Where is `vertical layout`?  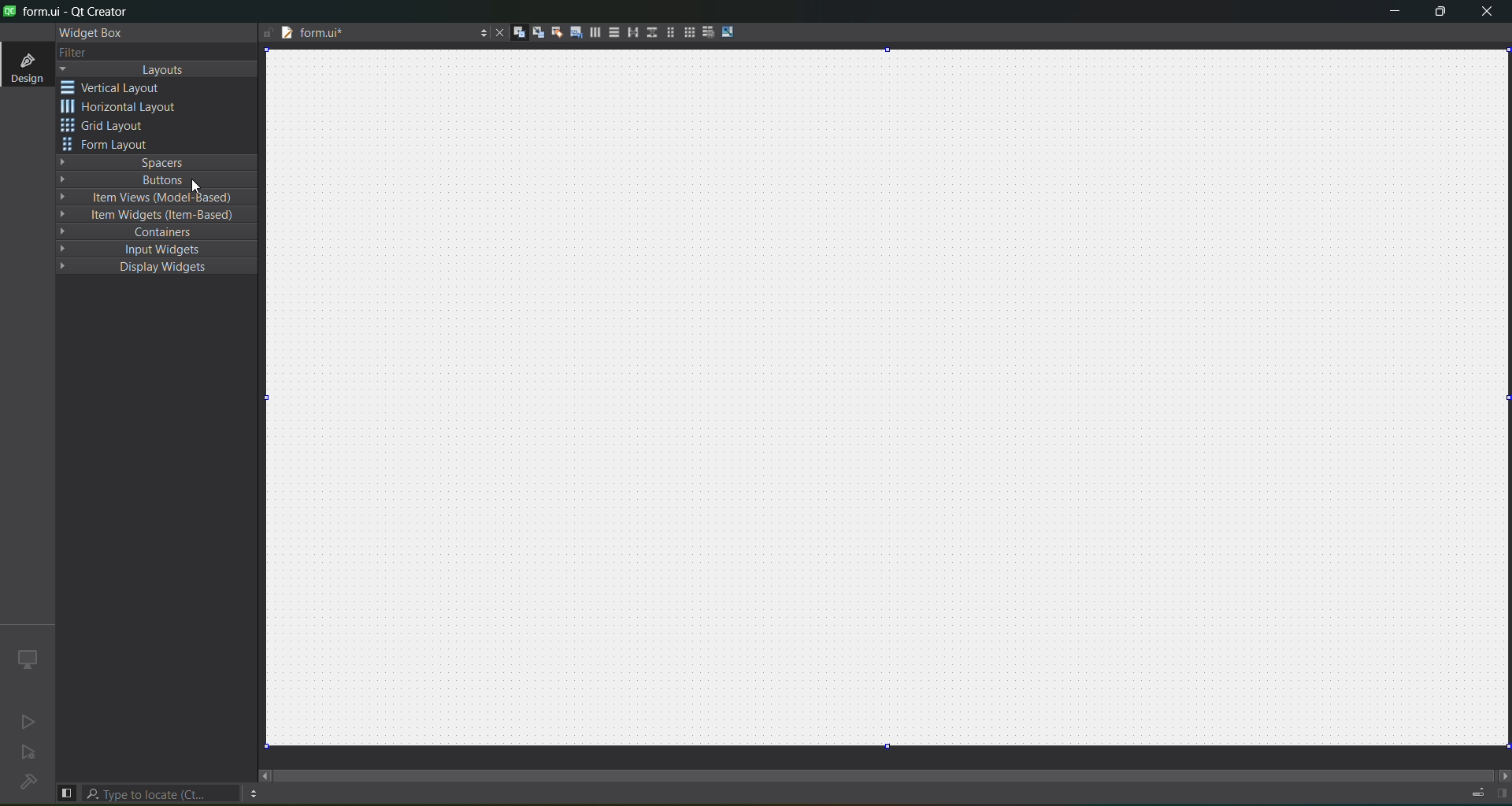 vertical layout is located at coordinates (123, 87).